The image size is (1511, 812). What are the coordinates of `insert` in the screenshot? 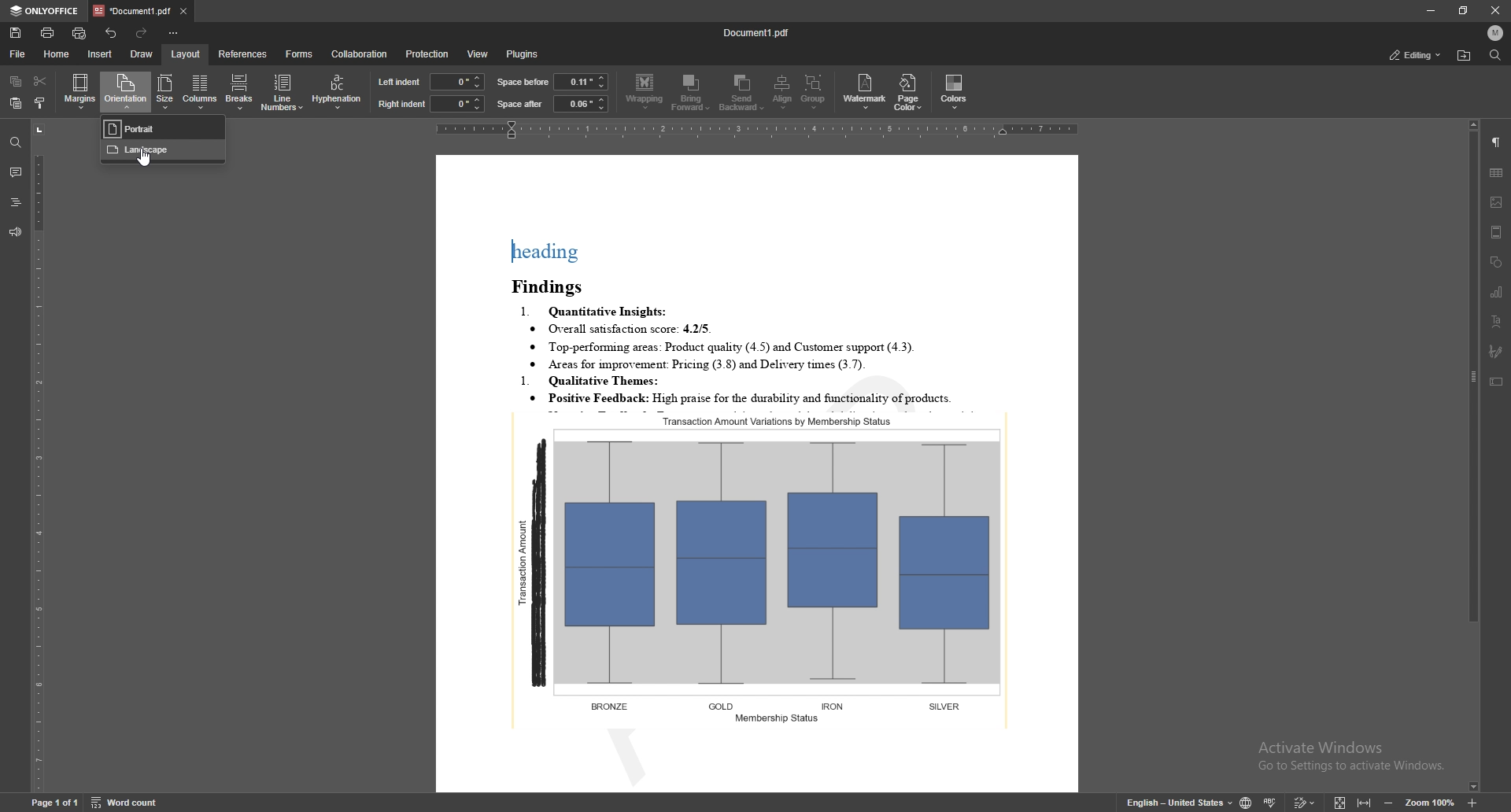 It's located at (101, 54).